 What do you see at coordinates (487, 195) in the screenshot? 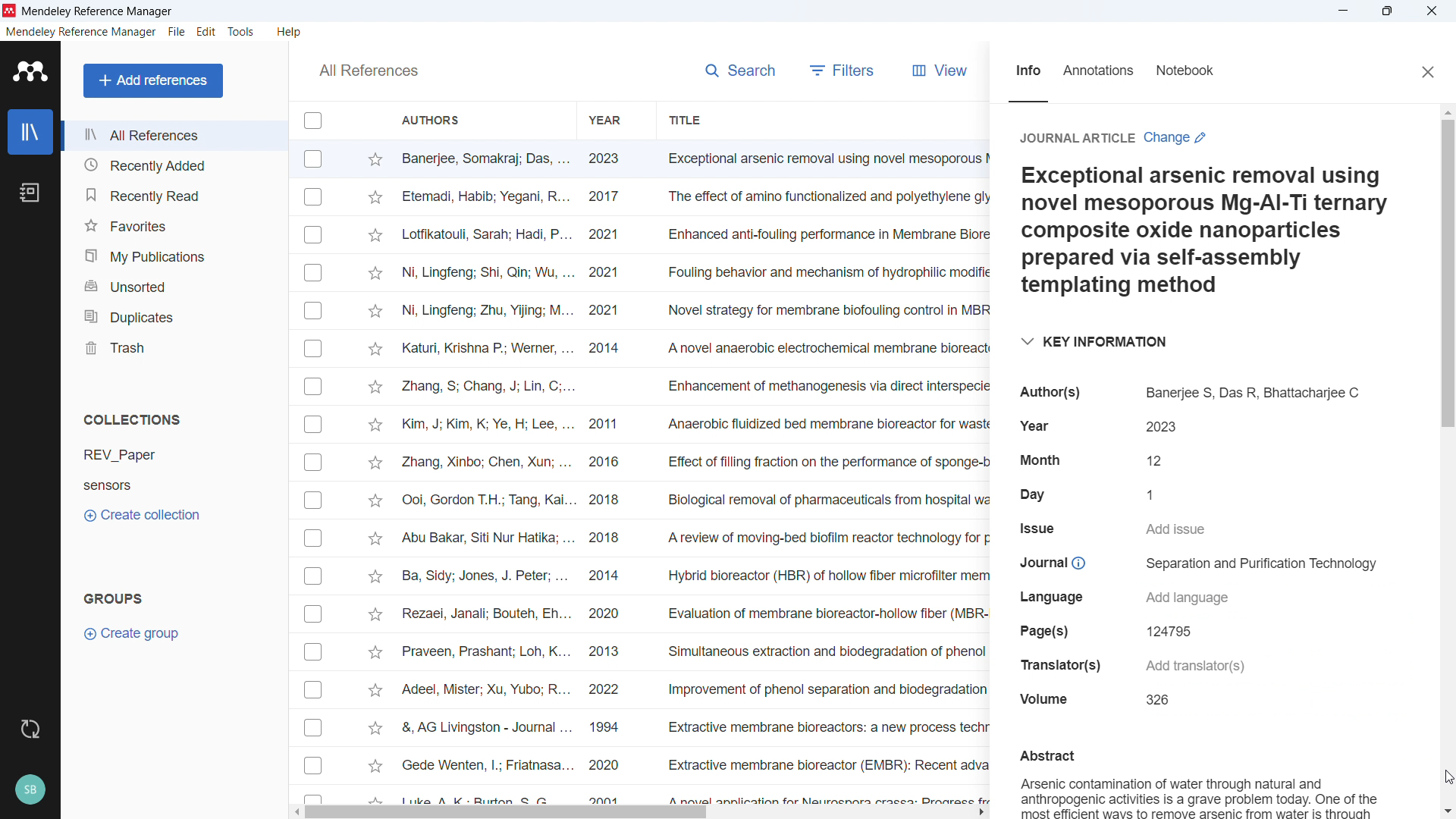
I see `etemadi,habib,yegani,r` at bounding box center [487, 195].